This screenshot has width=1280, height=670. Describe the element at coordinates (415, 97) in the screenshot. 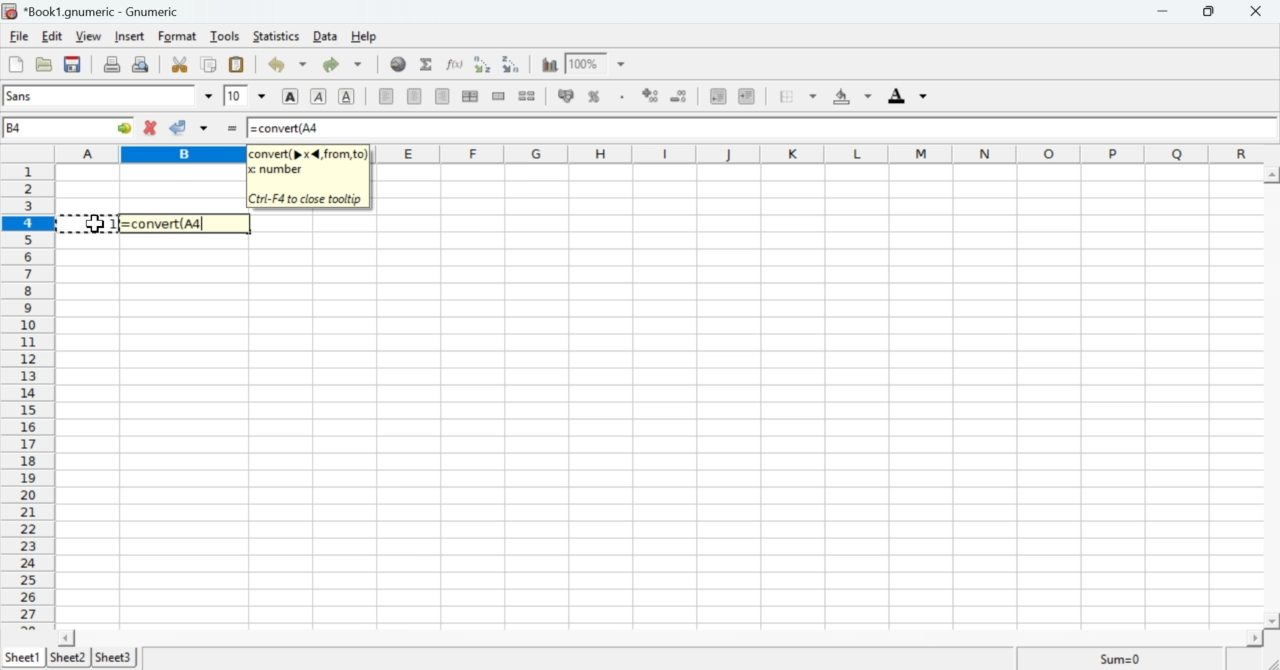

I see `Center horizontally` at that location.